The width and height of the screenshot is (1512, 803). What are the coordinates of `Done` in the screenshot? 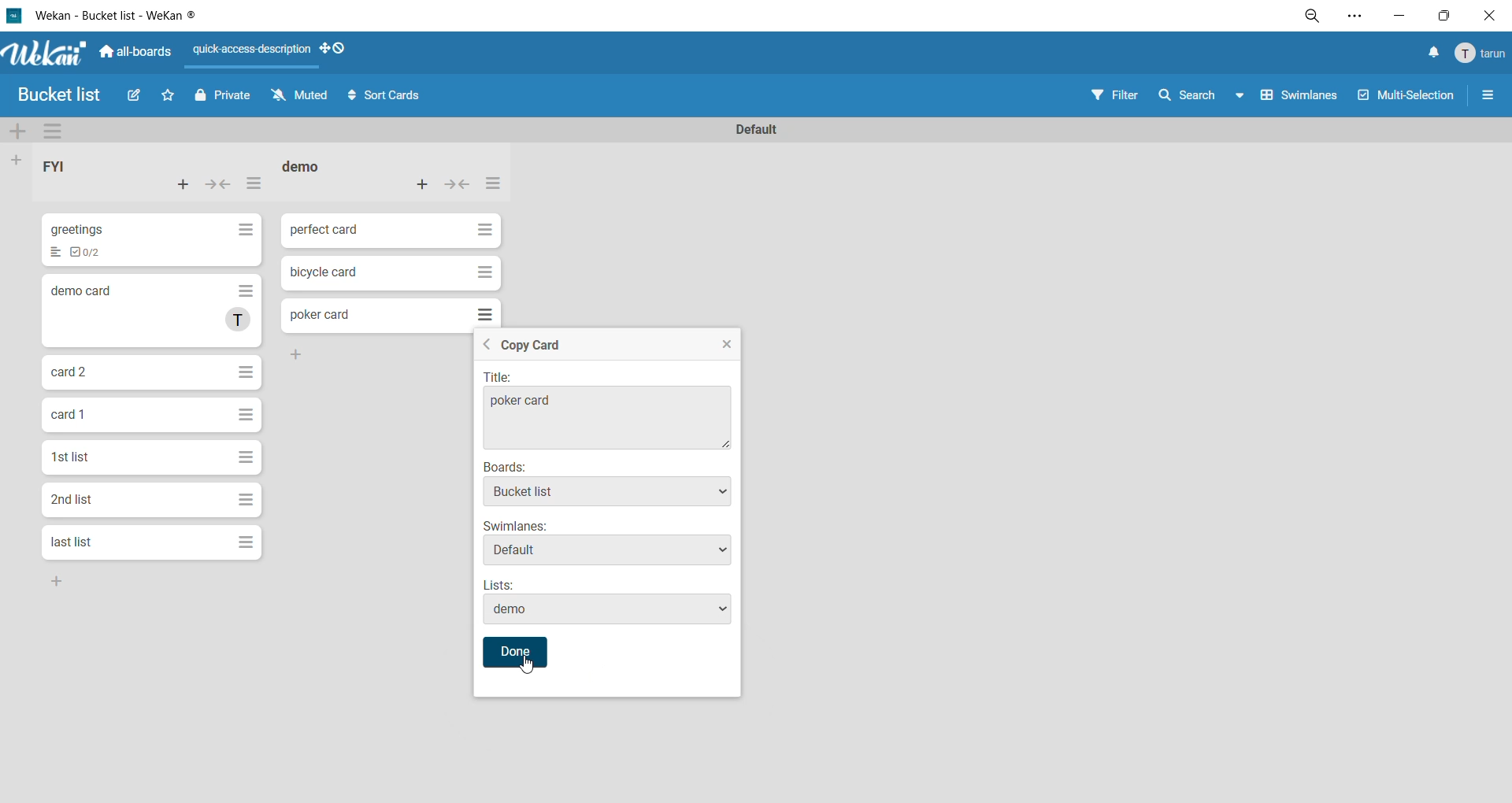 It's located at (516, 653).